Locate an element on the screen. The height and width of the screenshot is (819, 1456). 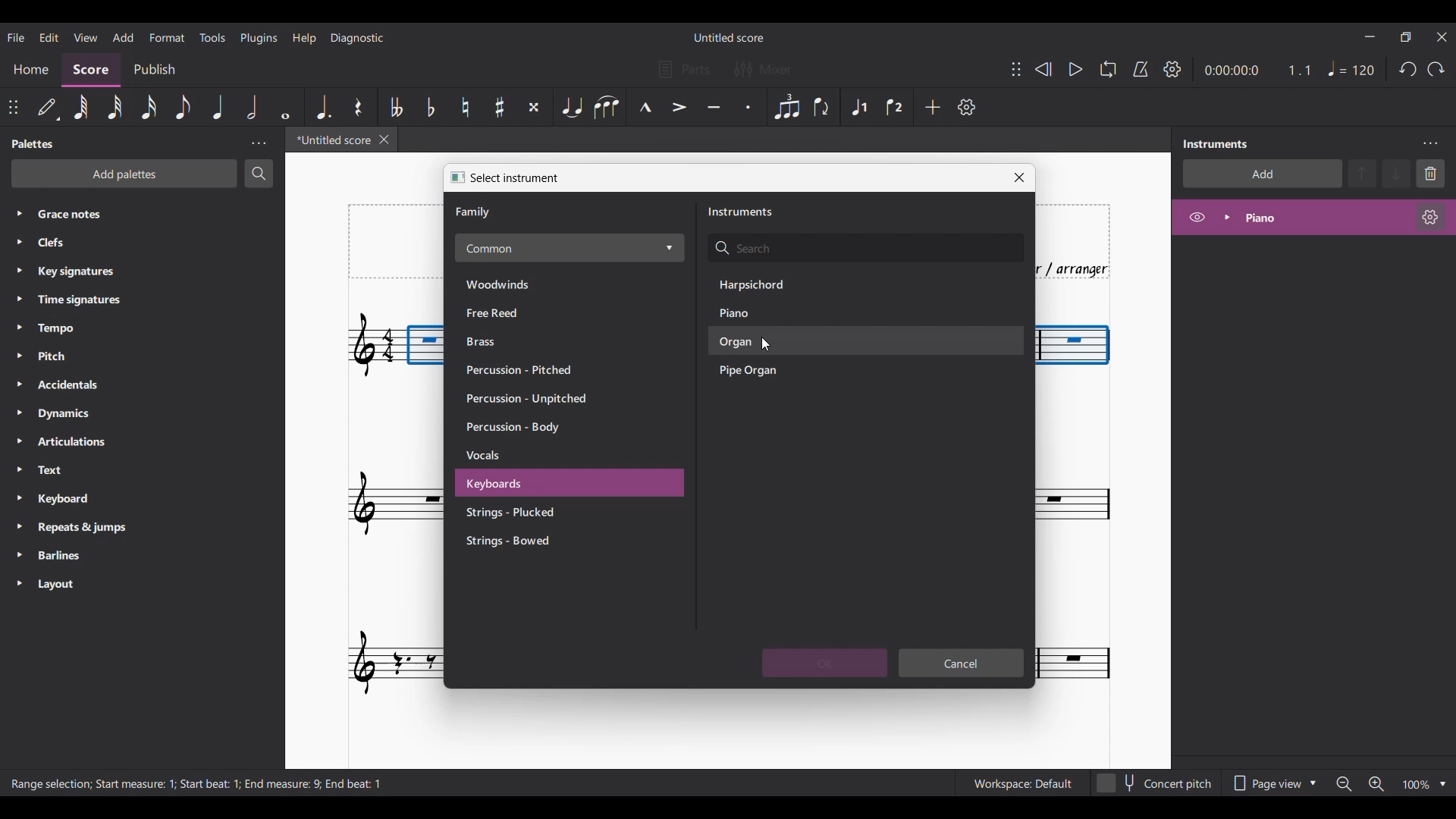
Zoom in is located at coordinates (1376, 784).